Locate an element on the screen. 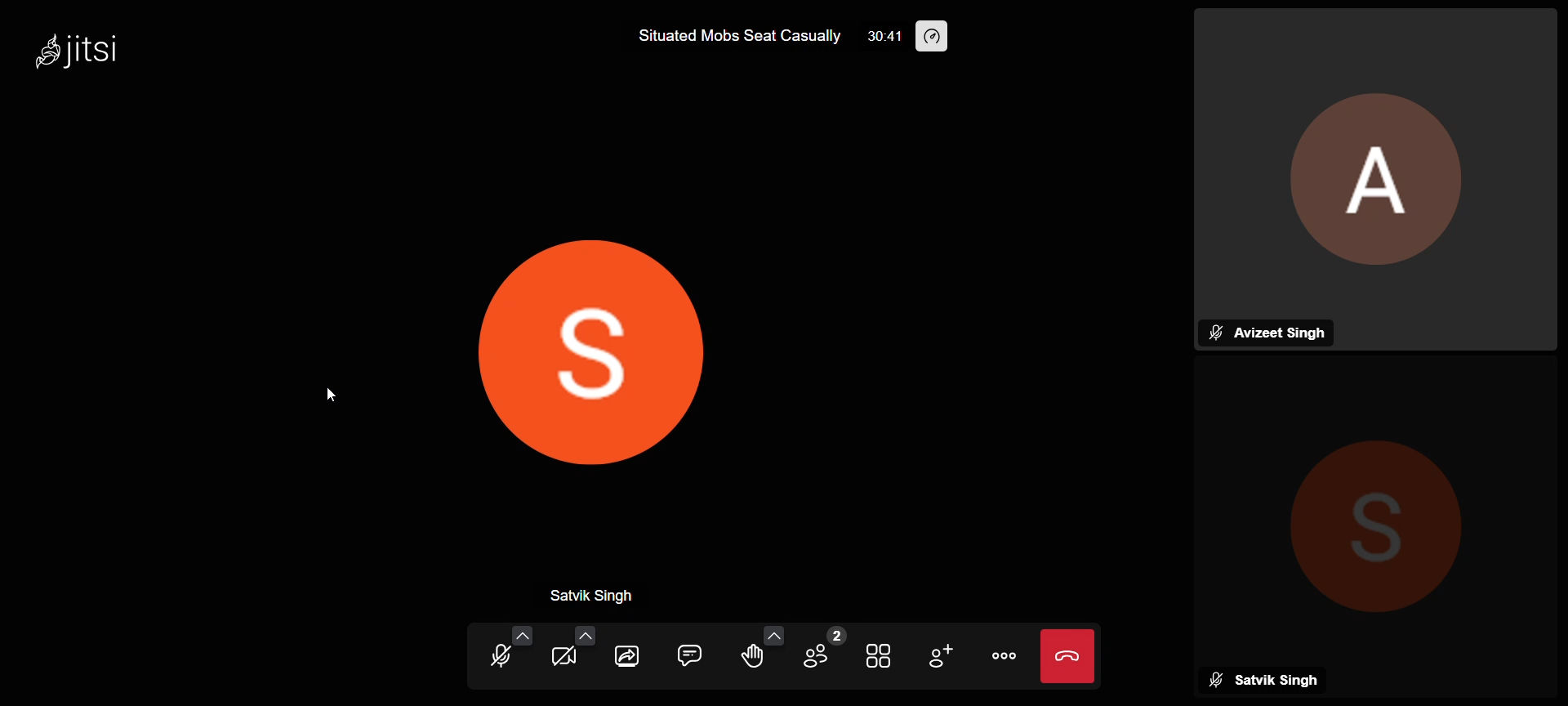 Image resolution: width=1568 pixels, height=706 pixels. audio setting is located at coordinates (523, 636).